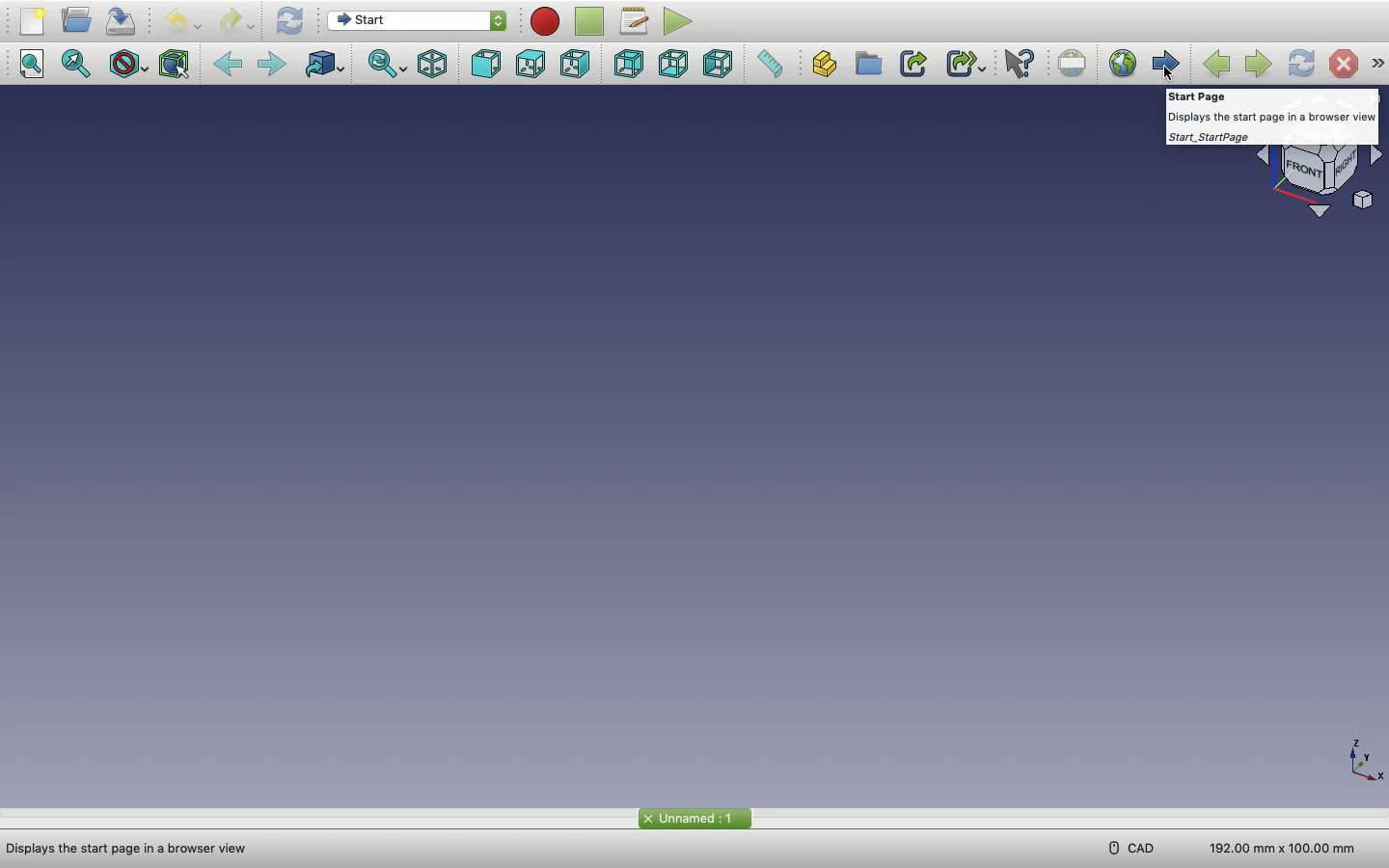  Describe the element at coordinates (288, 21) in the screenshot. I see `Refresh` at that location.